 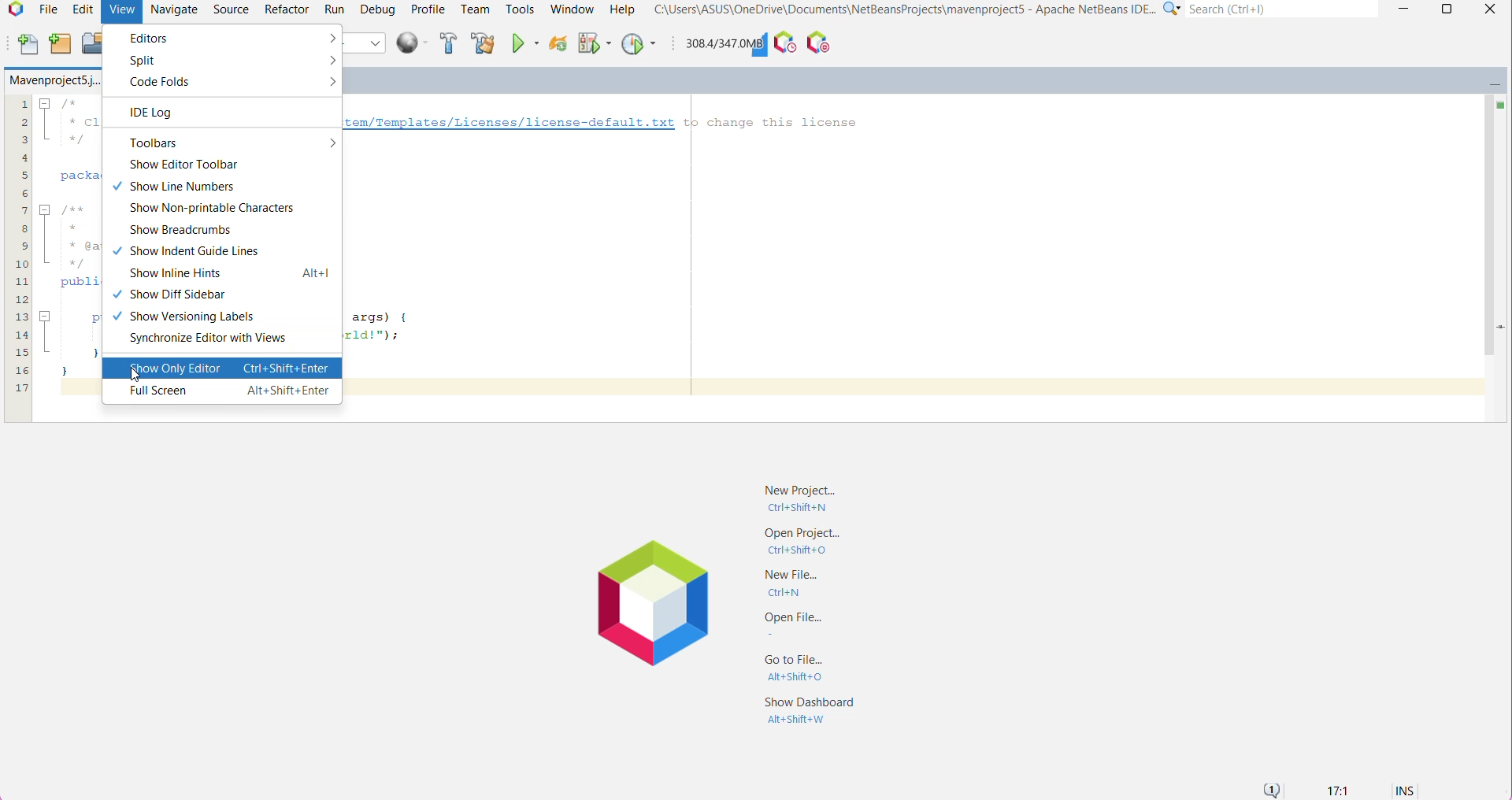 I want to click on Show Line Numbers, so click(x=185, y=187).